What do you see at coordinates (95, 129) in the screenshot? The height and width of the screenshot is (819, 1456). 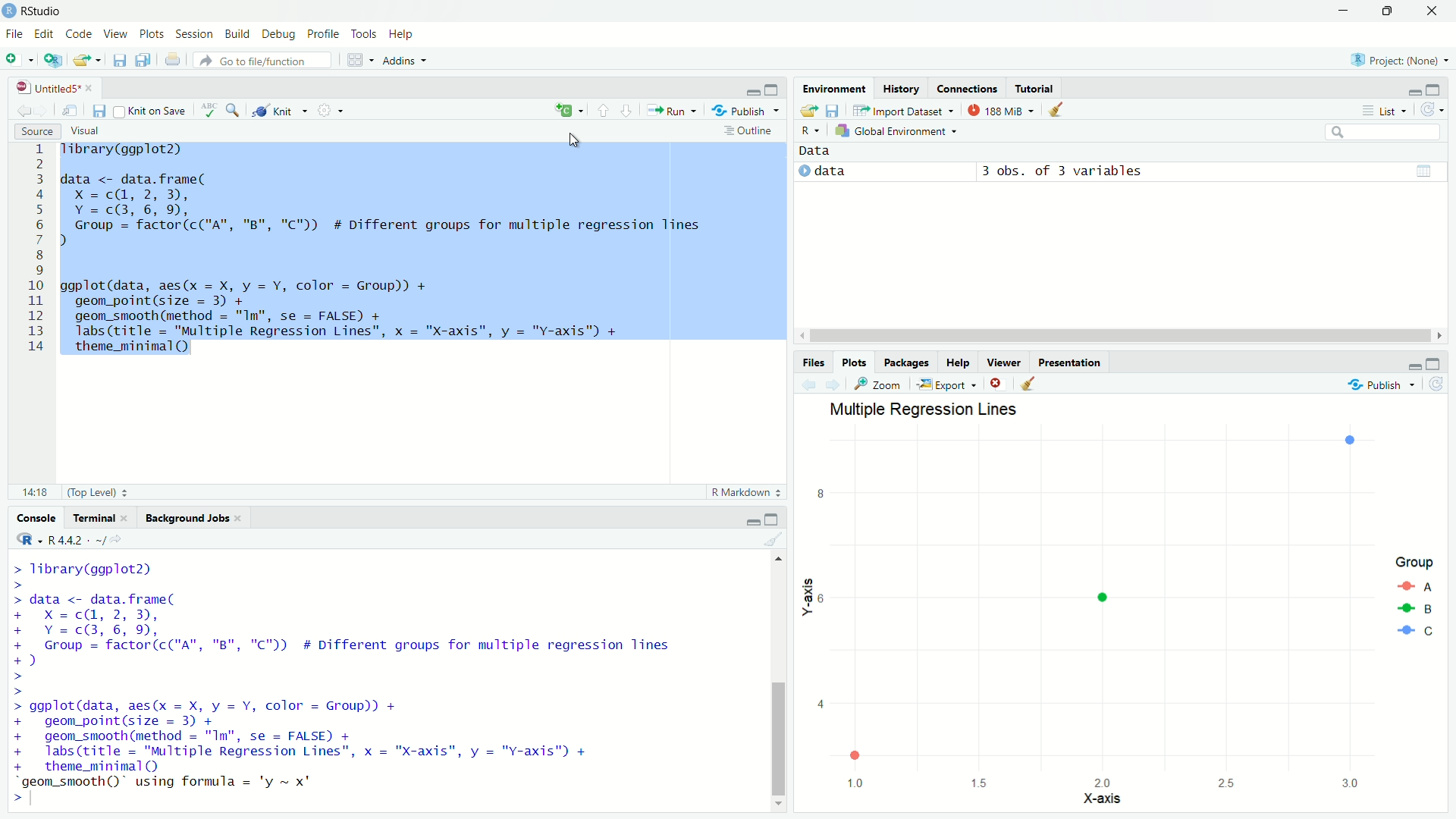 I see `Visual` at bounding box center [95, 129].